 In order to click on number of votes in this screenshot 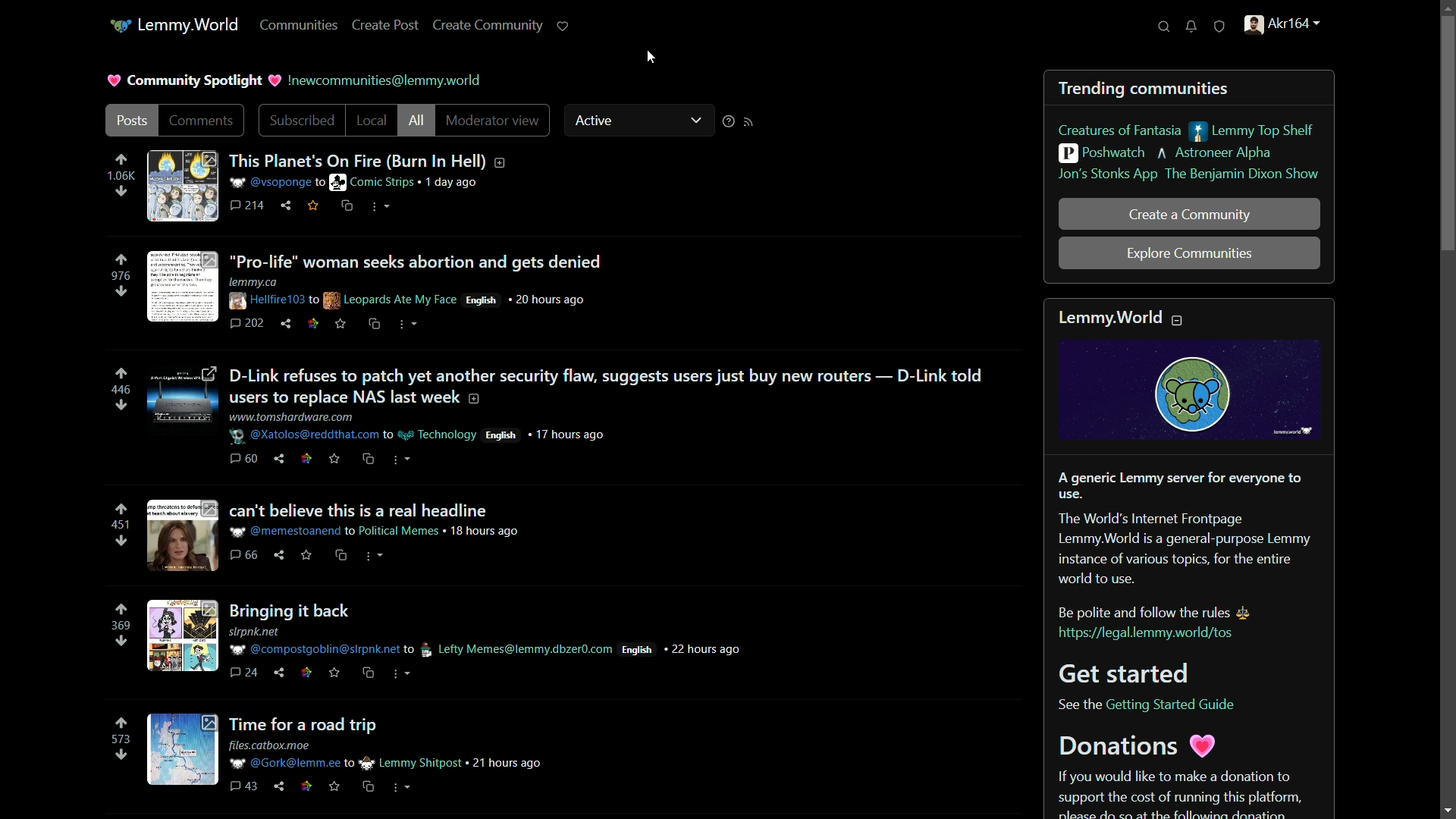, I will do `click(121, 177)`.